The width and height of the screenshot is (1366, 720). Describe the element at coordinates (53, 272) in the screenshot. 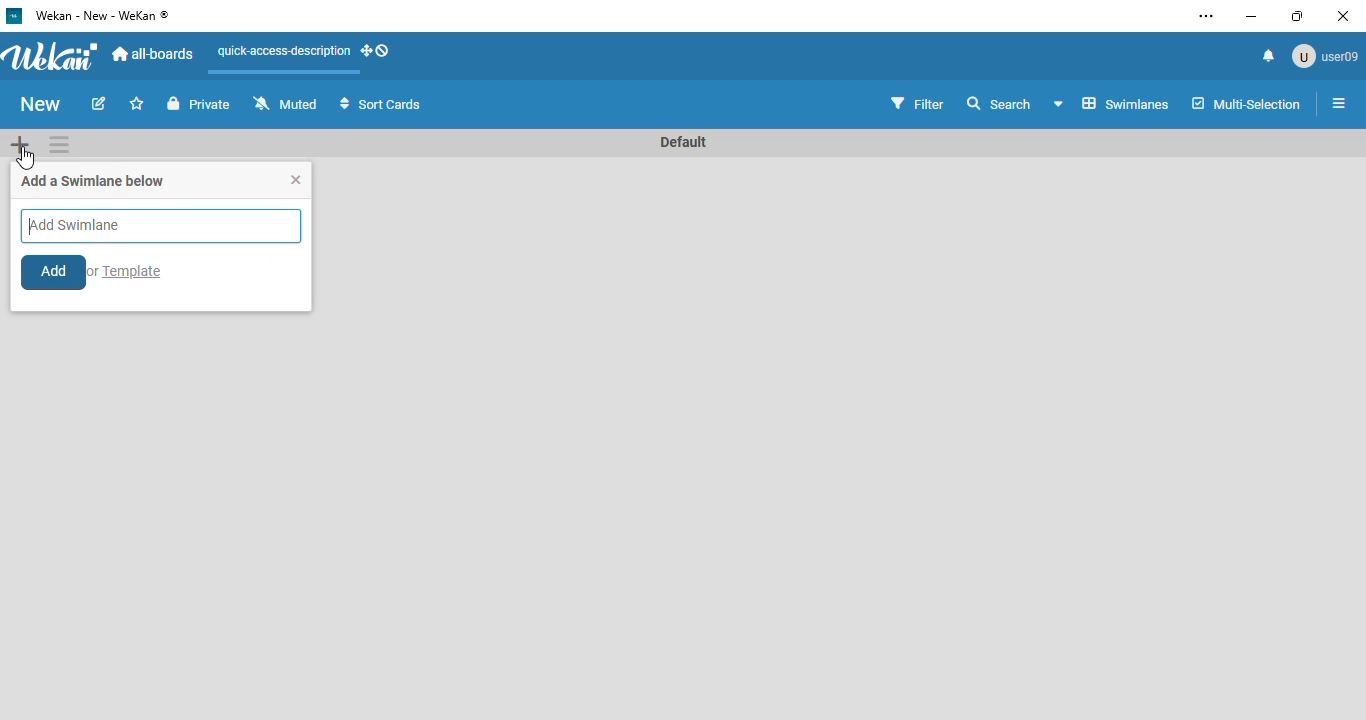

I see `add` at that location.